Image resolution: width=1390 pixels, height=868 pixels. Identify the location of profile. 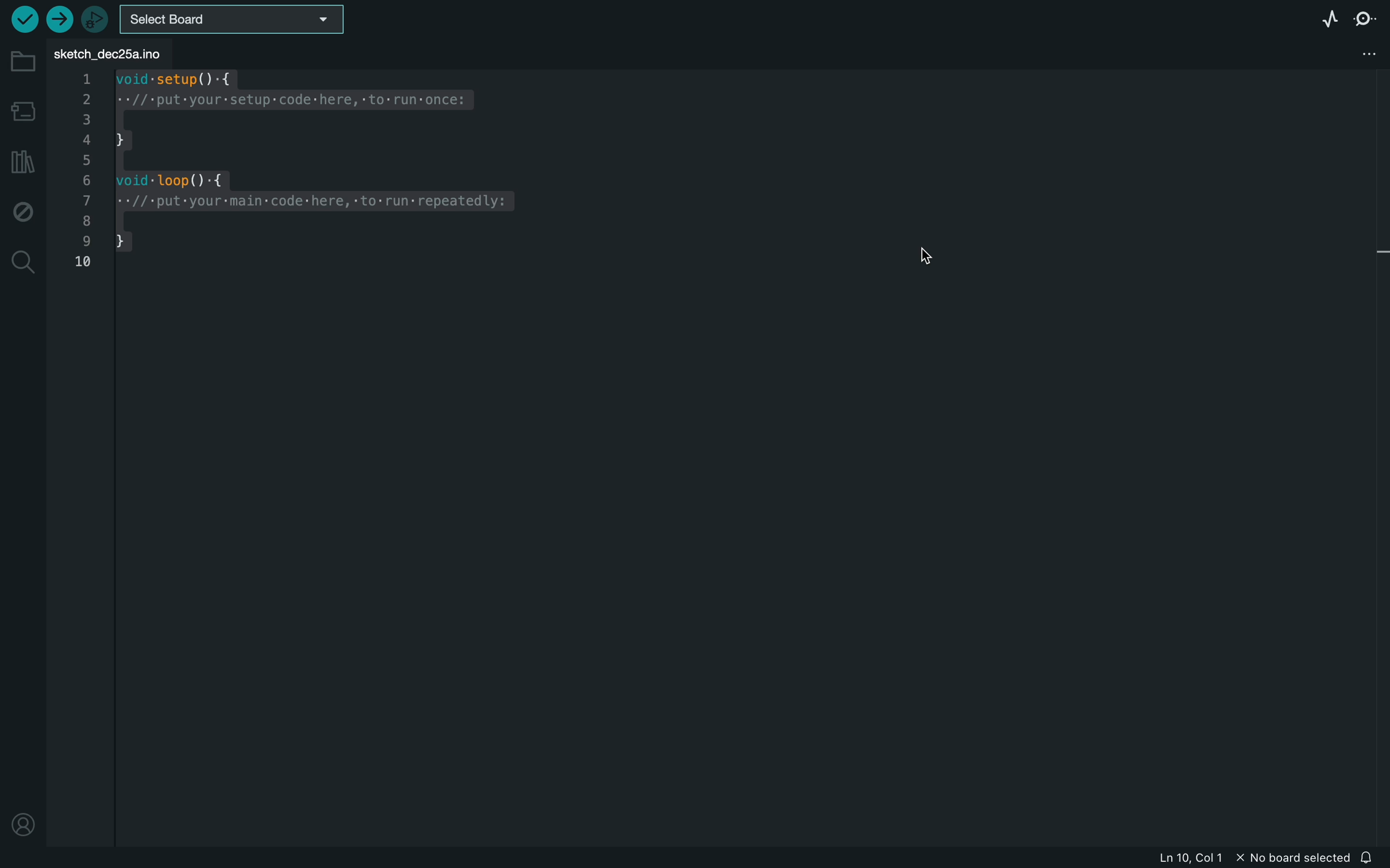
(24, 816).